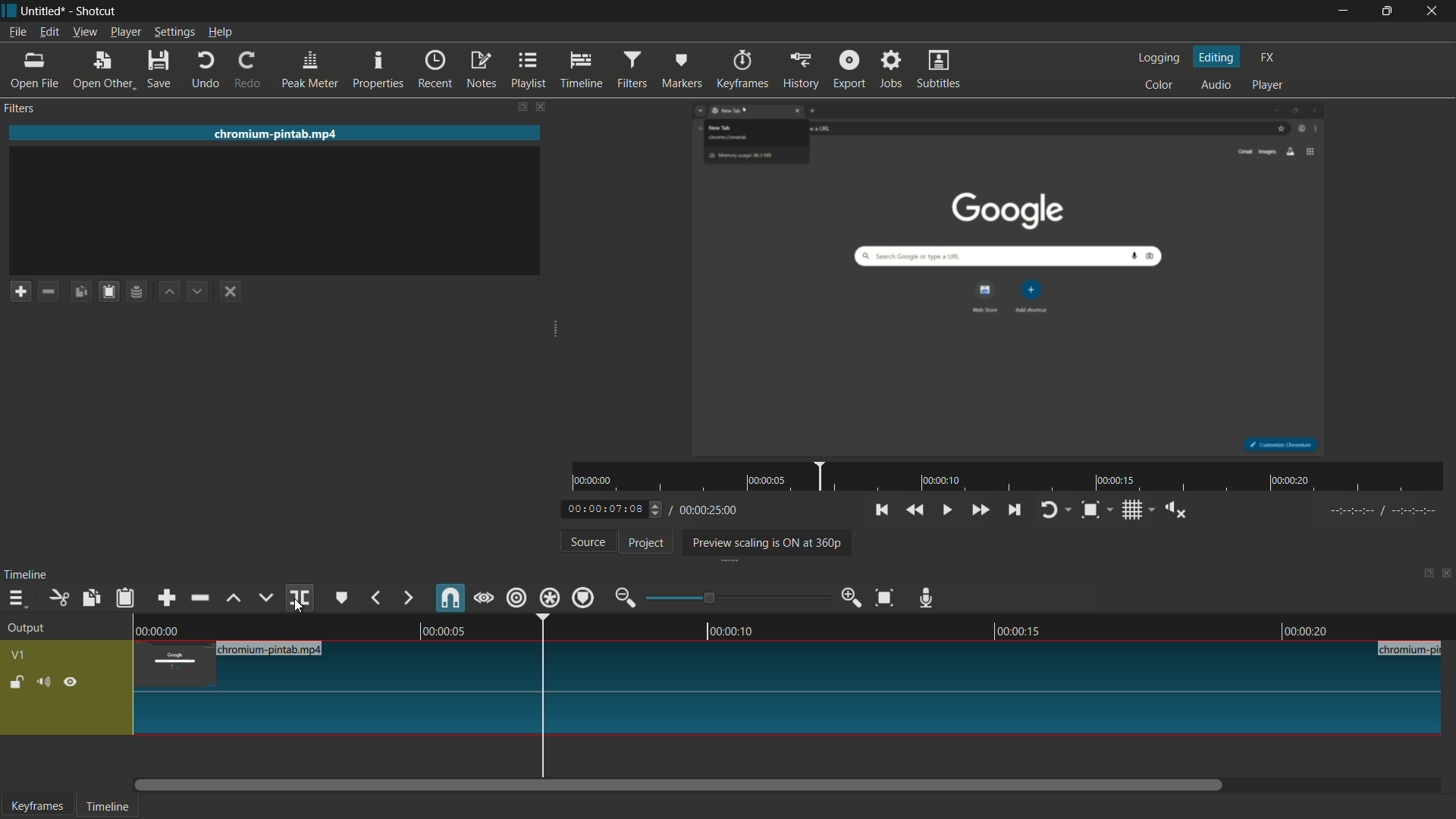 The width and height of the screenshot is (1456, 819). Describe the element at coordinates (1049, 510) in the screenshot. I see `toggle player looping` at that location.